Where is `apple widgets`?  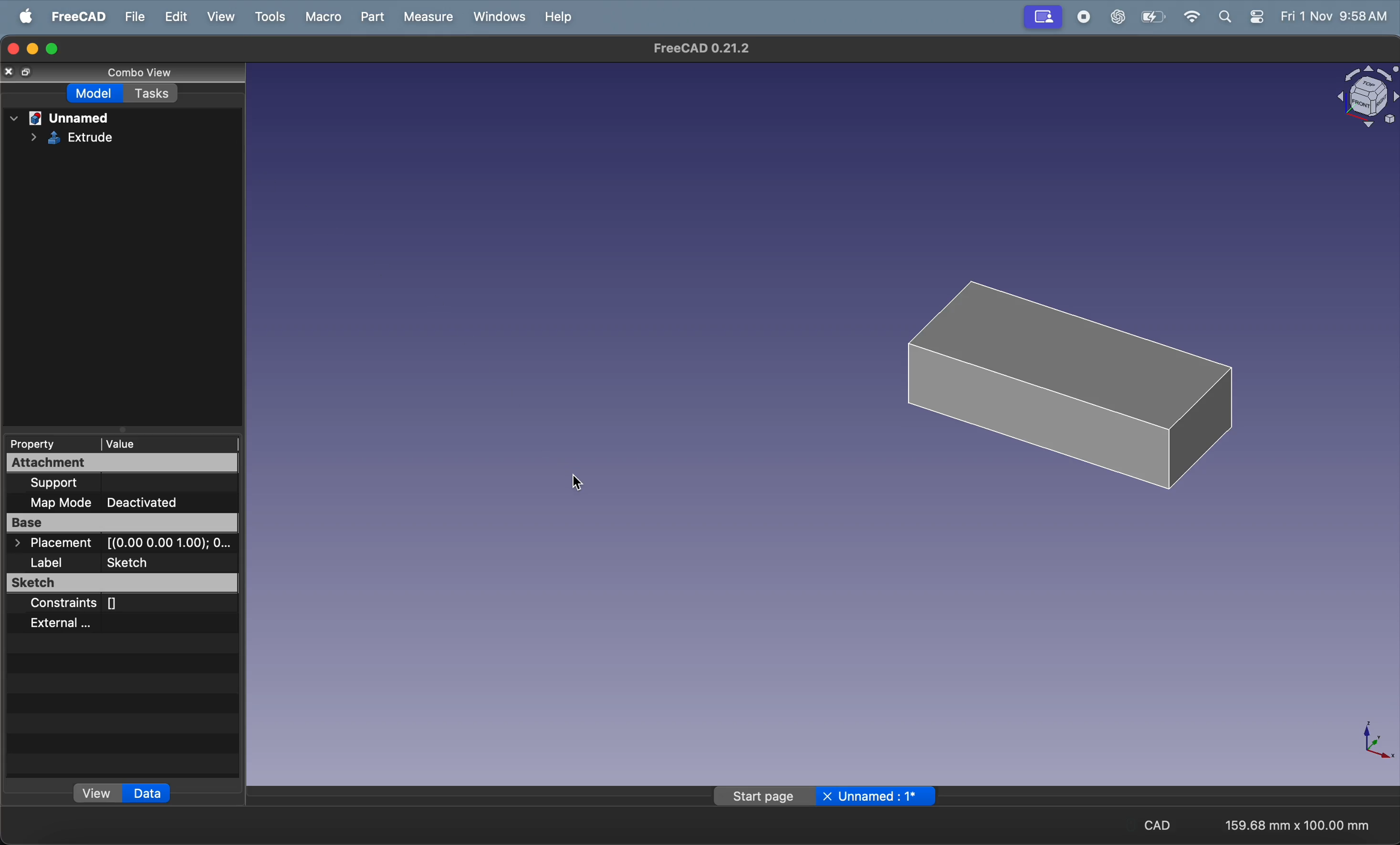 apple widgets is located at coordinates (1240, 16).